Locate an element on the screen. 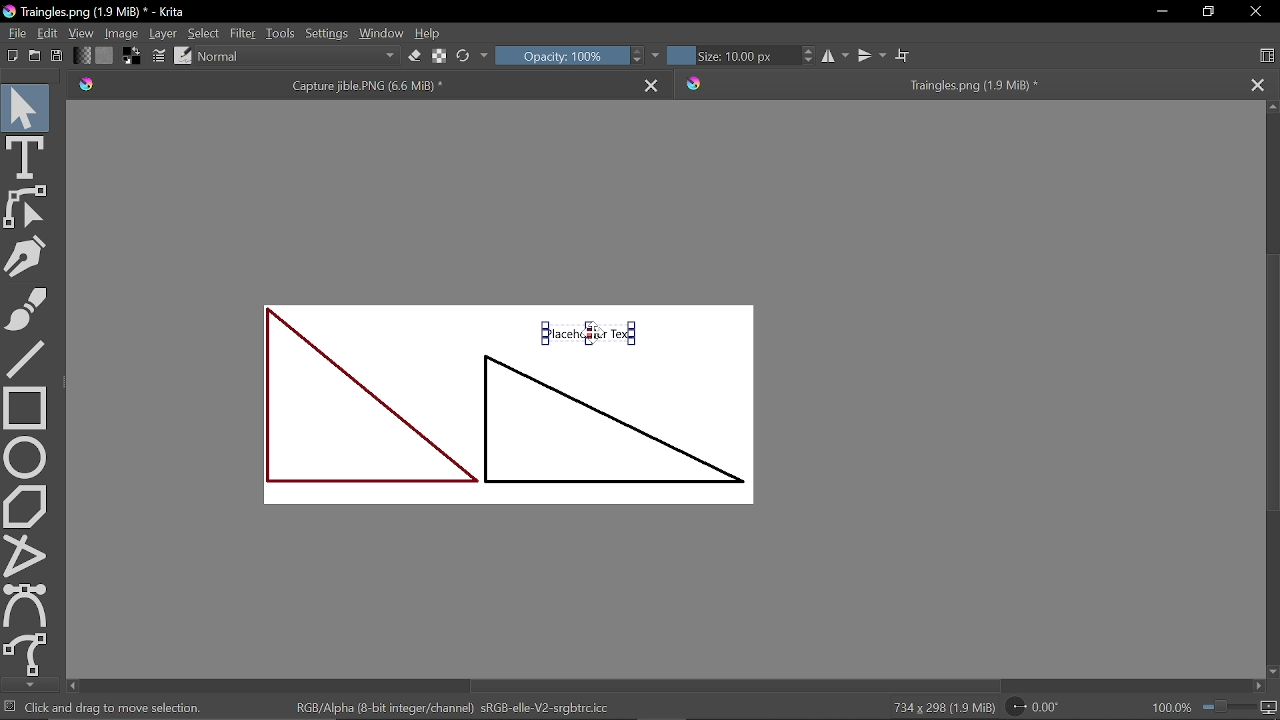  Choose workspace is located at coordinates (1270, 56).